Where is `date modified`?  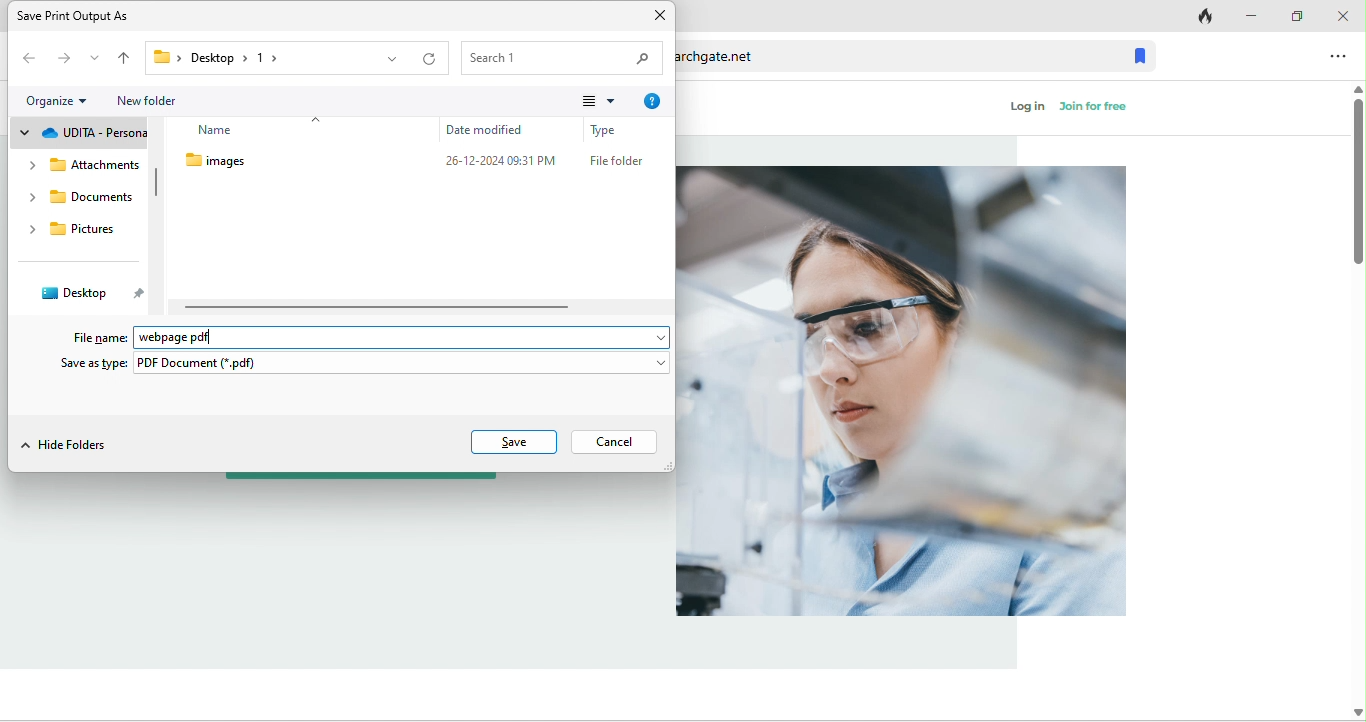
date modified is located at coordinates (502, 130).